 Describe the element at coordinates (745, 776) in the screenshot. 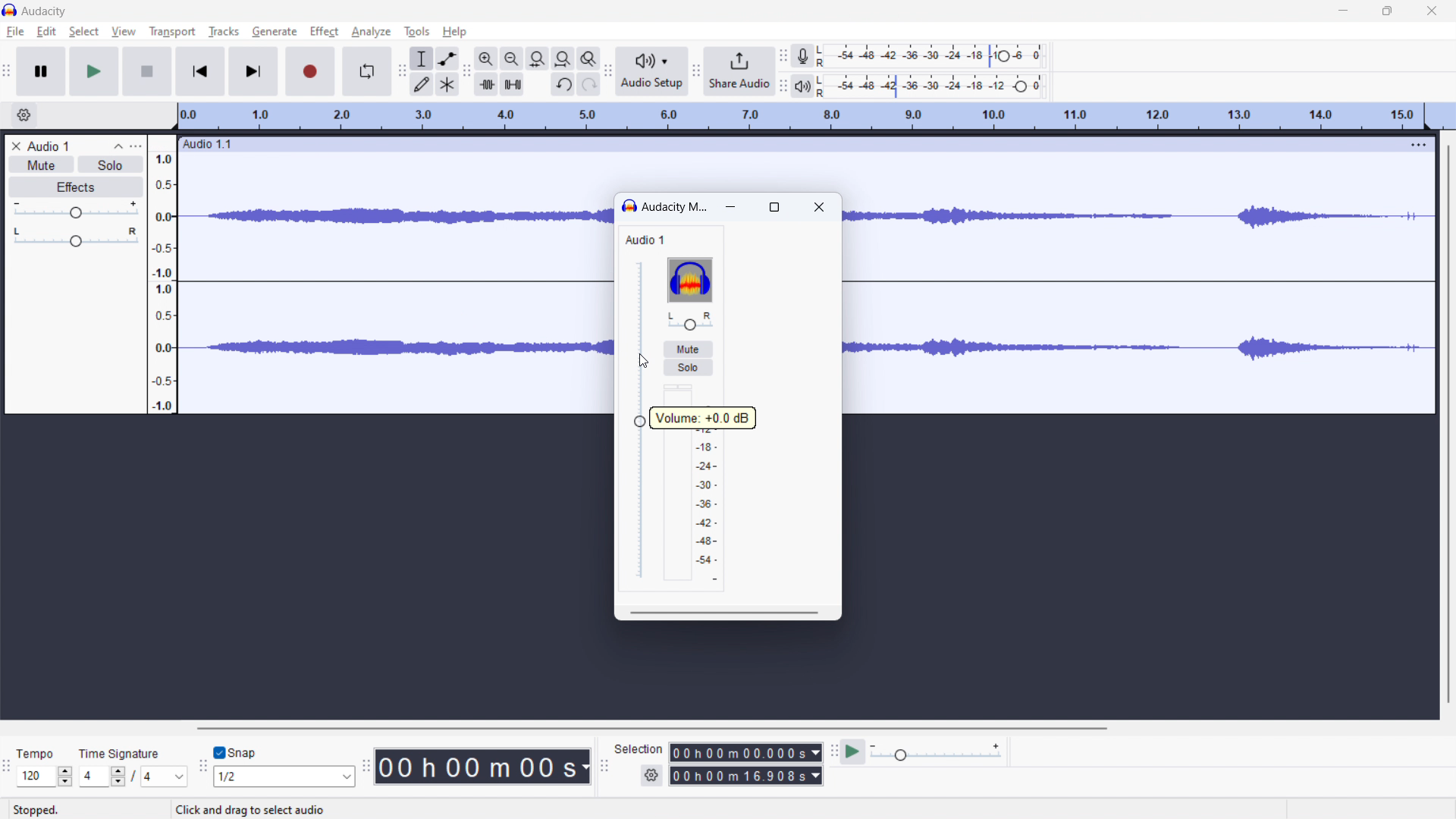

I see `end time` at that location.